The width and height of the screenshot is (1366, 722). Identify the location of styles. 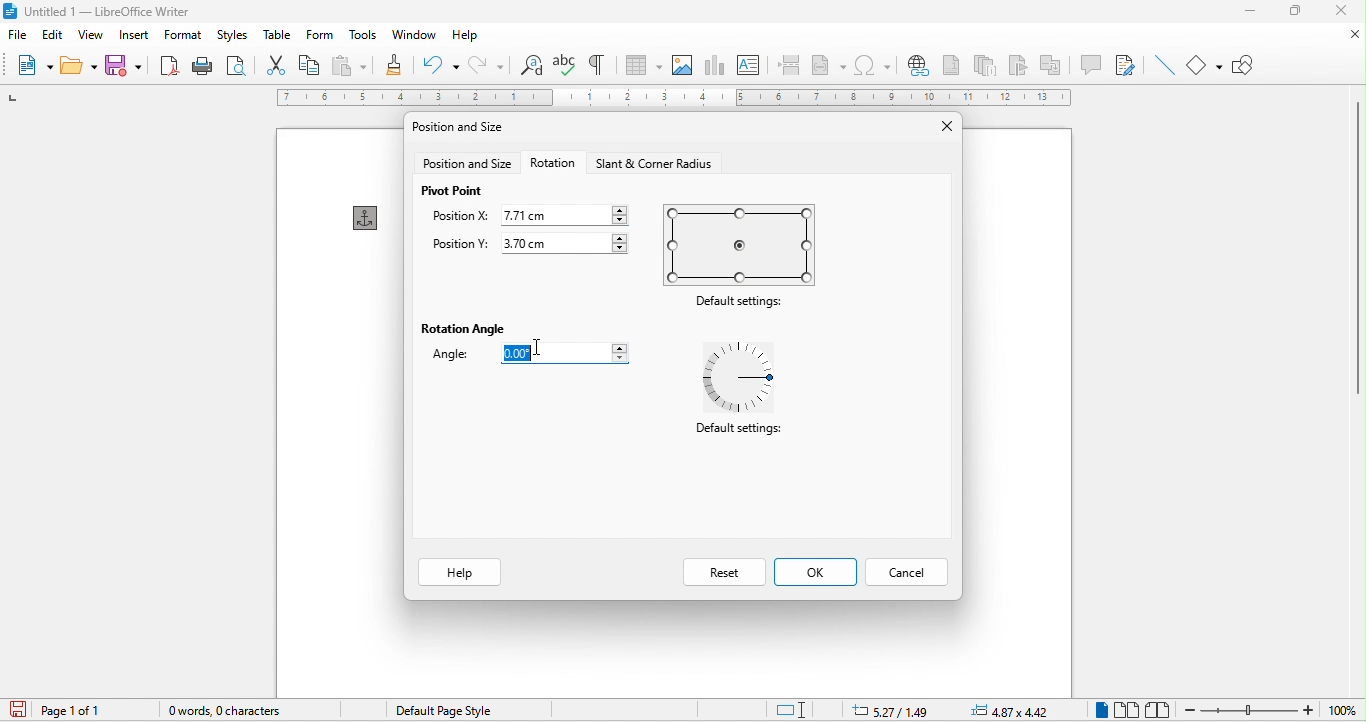
(233, 36).